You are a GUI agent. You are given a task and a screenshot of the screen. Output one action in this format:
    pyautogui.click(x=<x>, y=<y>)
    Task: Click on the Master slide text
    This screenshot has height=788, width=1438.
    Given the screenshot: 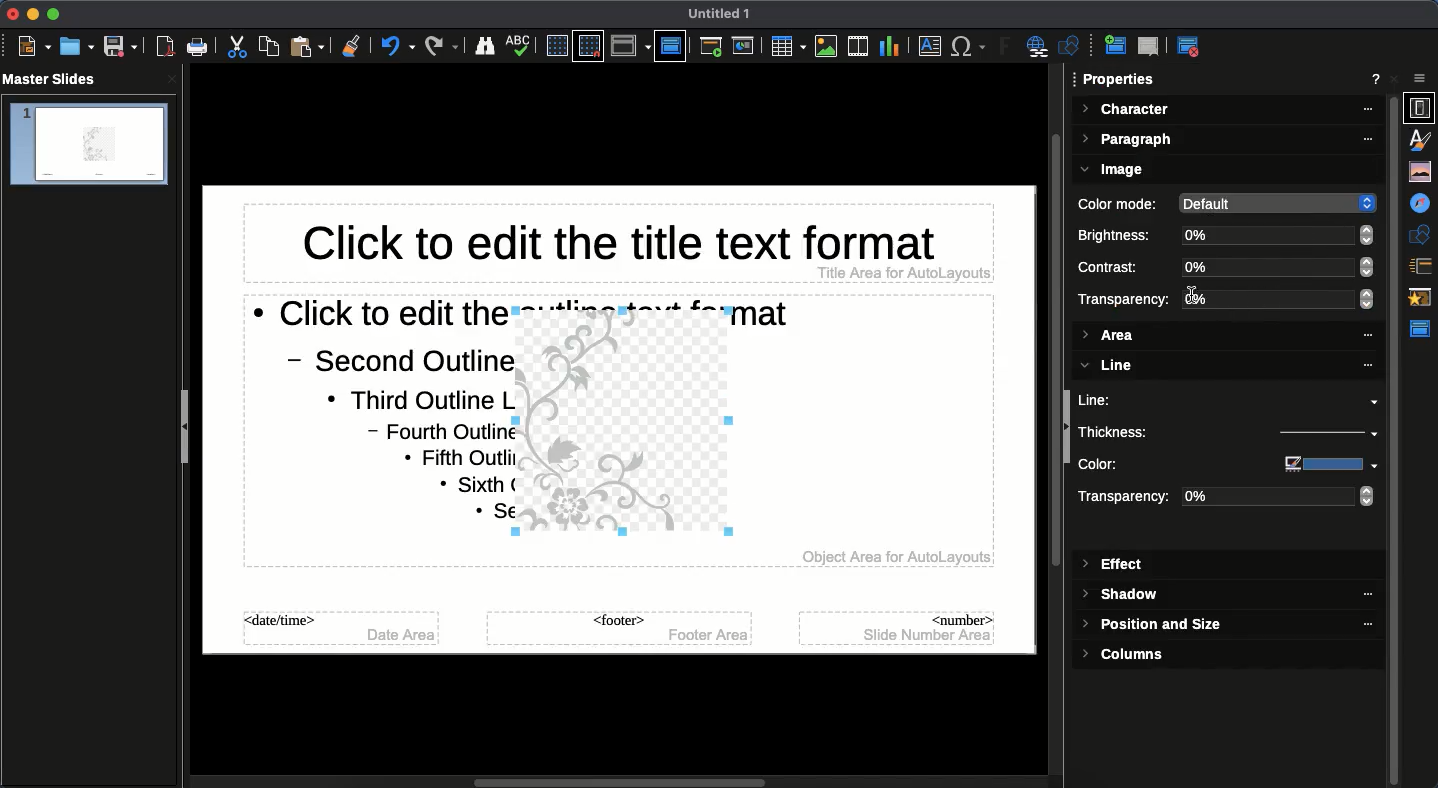 What is the action you would take?
    pyautogui.click(x=362, y=426)
    